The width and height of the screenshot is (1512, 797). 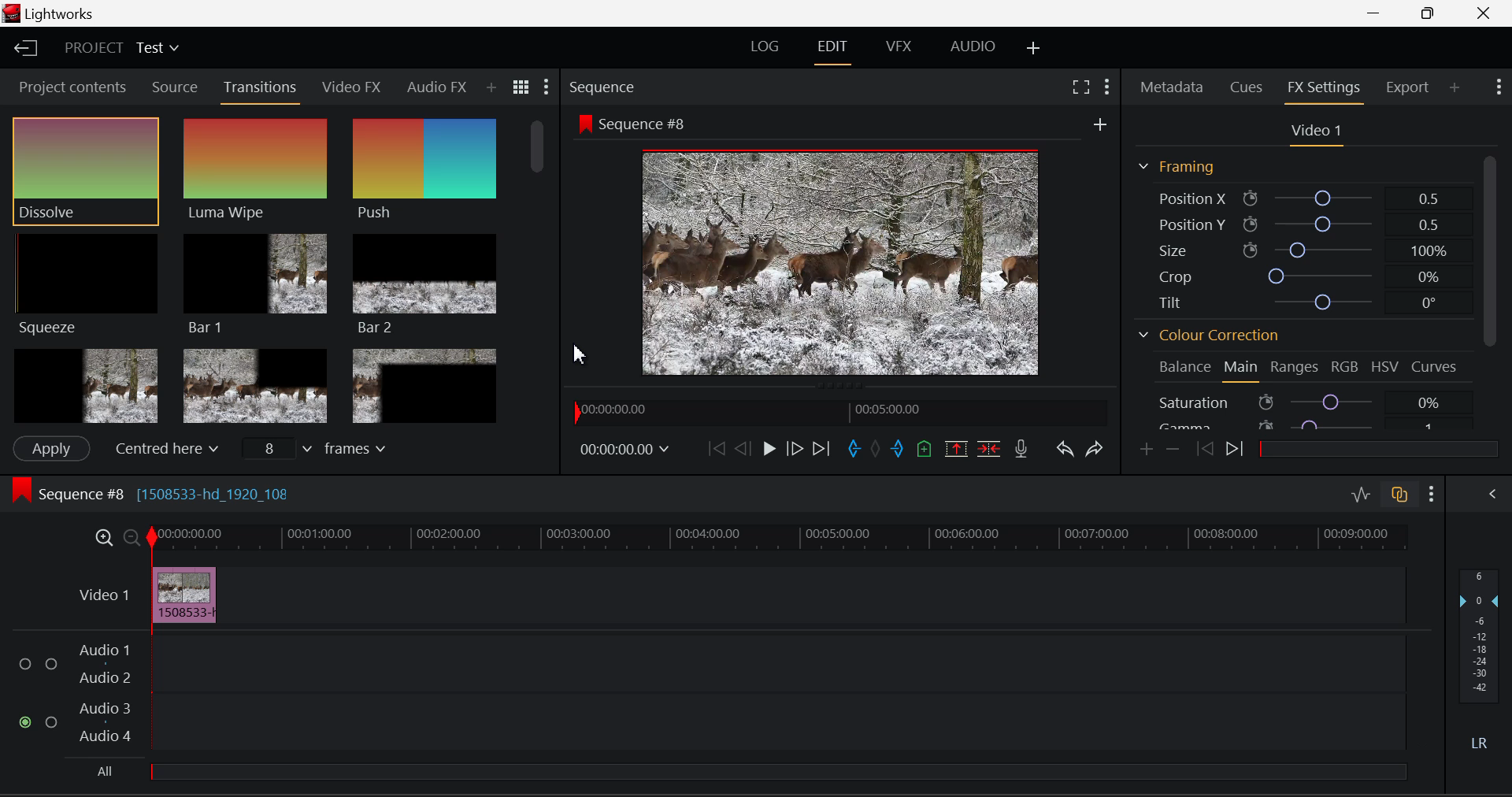 What do you see at coordinates (86, 284) in the screenshot?
I see `Squeeze` at bounding box center [86, 284].